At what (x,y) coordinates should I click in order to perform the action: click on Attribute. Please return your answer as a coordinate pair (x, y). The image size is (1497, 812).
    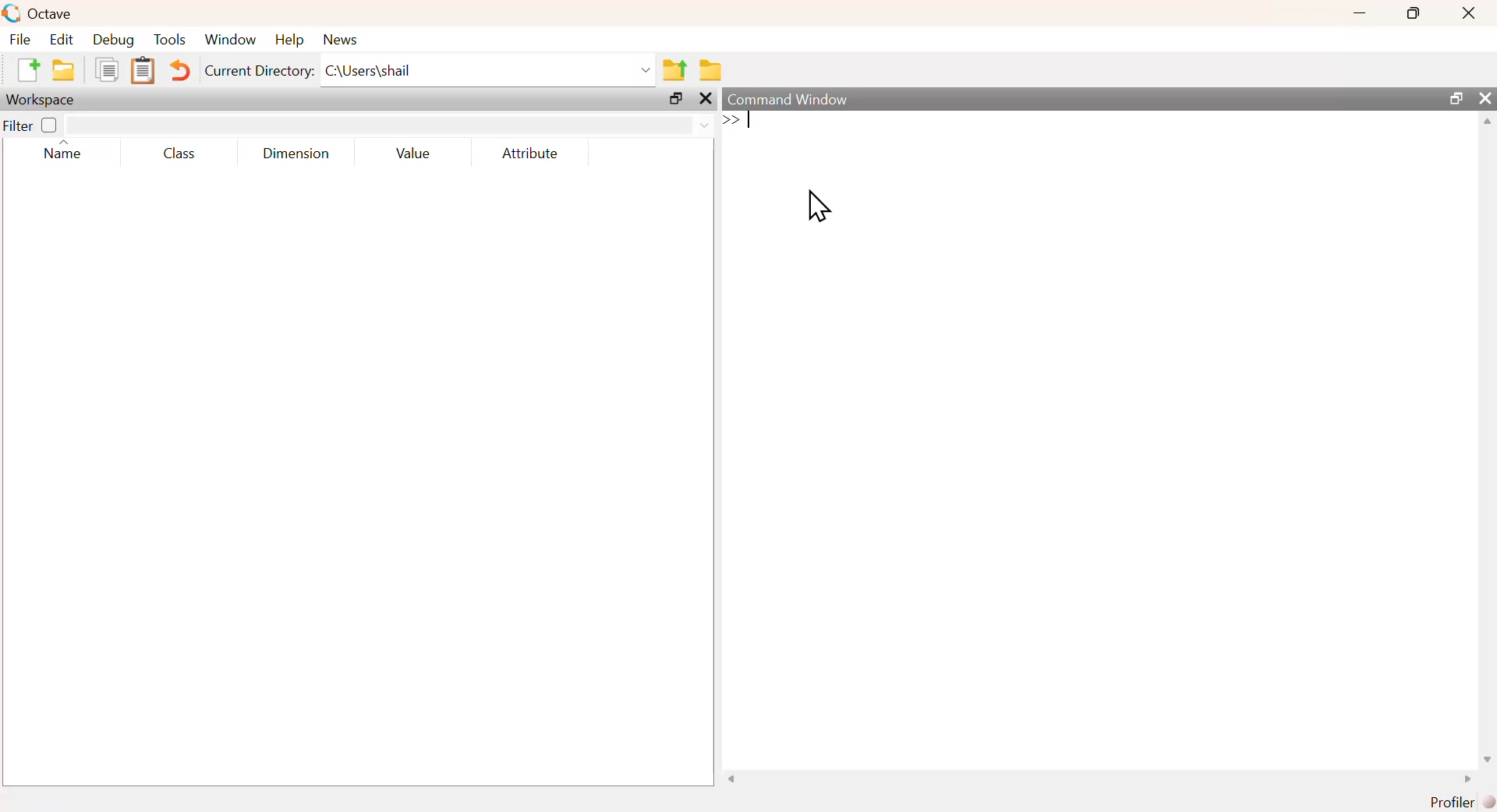
    Looking at the image, I should click on (531, 153).